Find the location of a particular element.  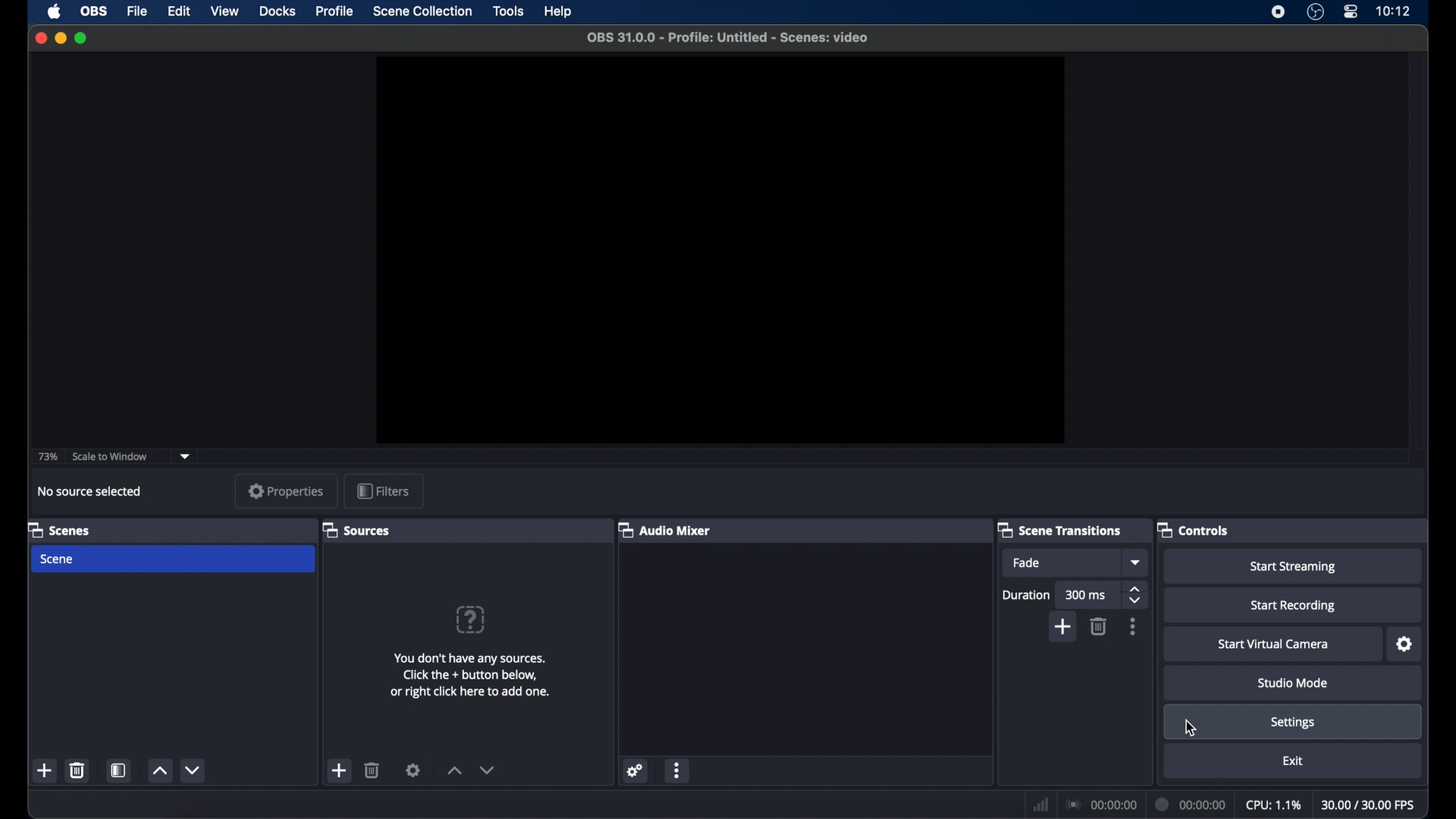

question mark icon is located at coordinates (470, 620).